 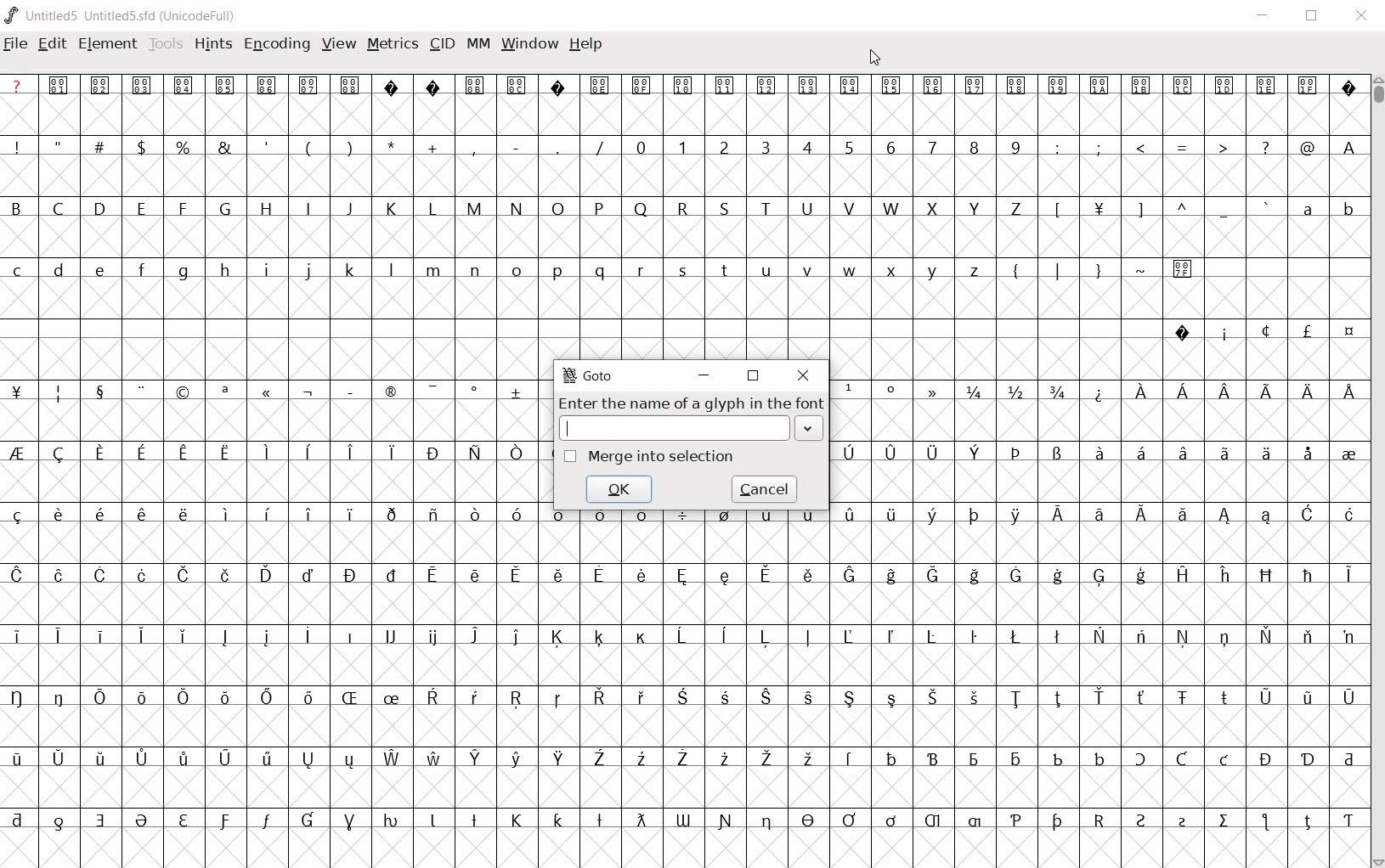 I want to click on Symbol, so click(x=807, y=821).